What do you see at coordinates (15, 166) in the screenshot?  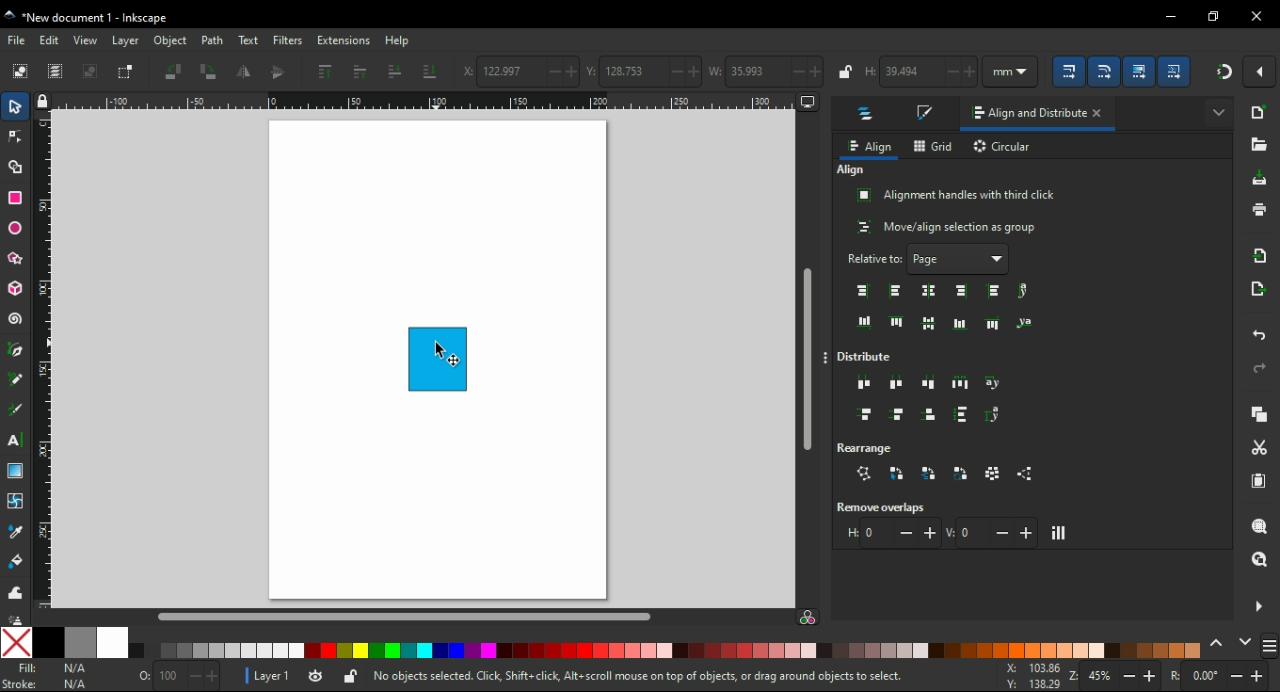 I see `shape builder tool` at bounding box center [15, 166].